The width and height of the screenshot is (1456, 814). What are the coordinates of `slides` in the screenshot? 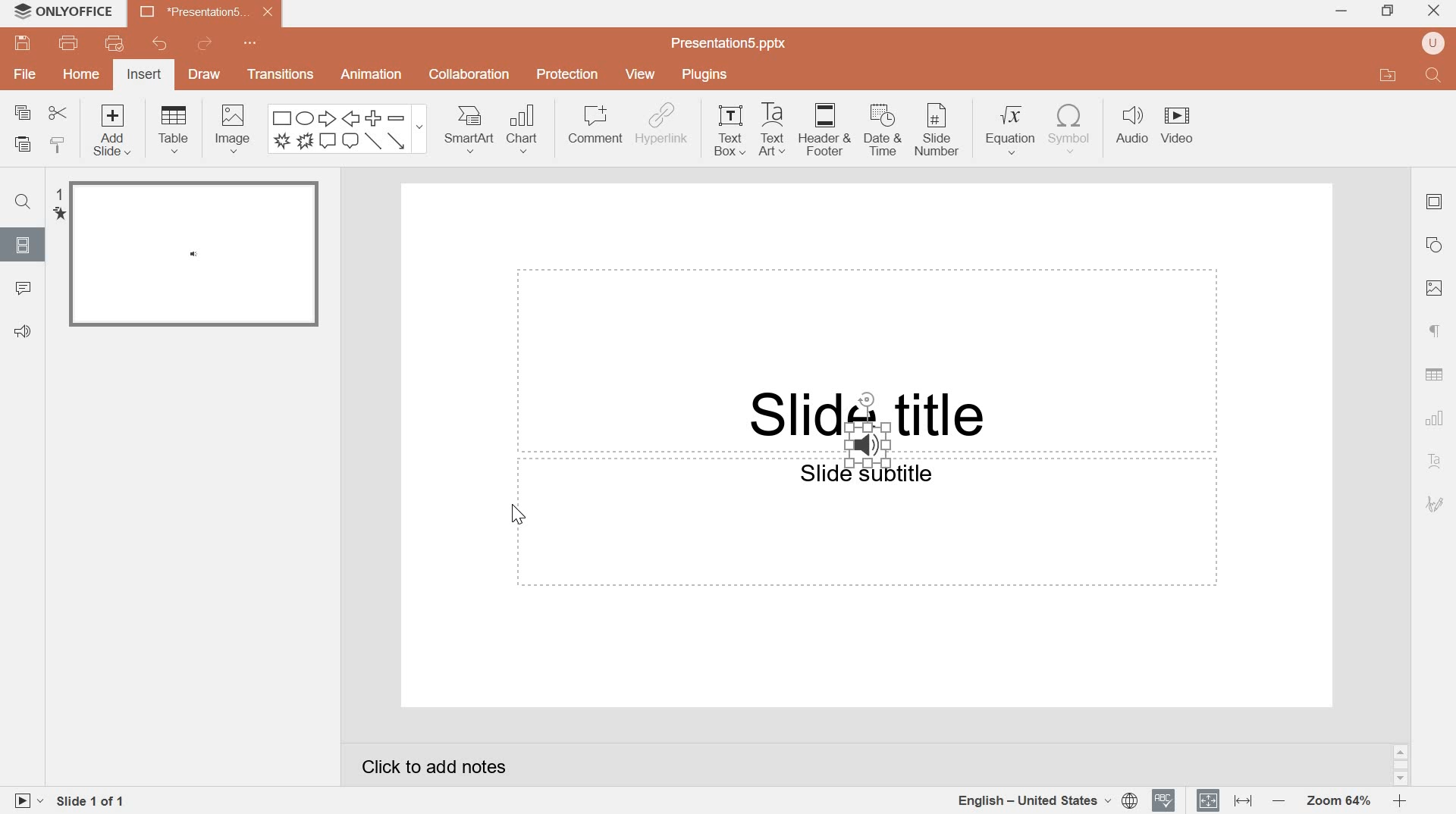 It's located at (20, 244).